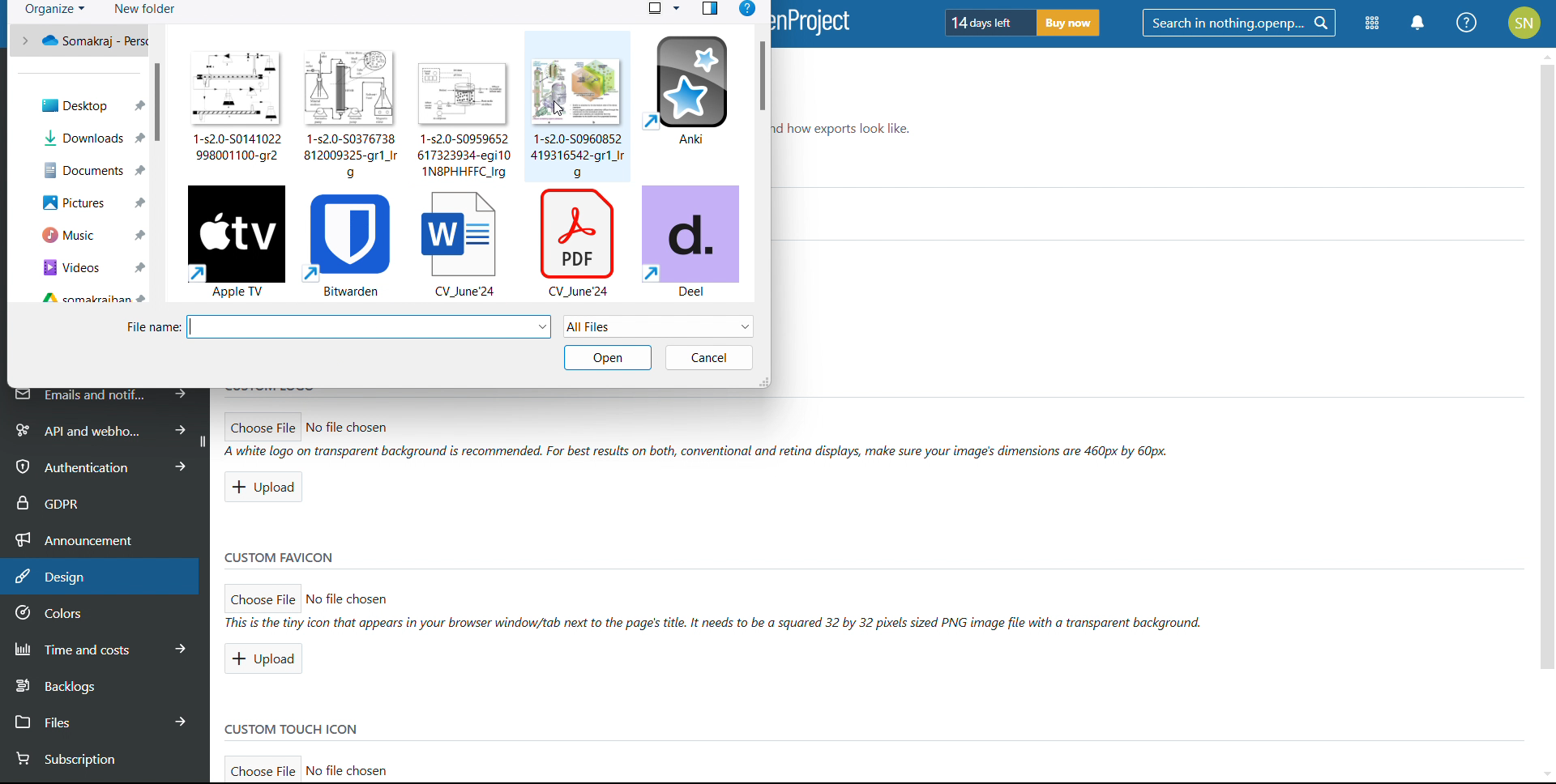 The height and width of the screenshot is (784, 1556). What do you see at coordinates (102, 684) in the screenshot?
I see `backlogs` at bounding box center [102, 684].